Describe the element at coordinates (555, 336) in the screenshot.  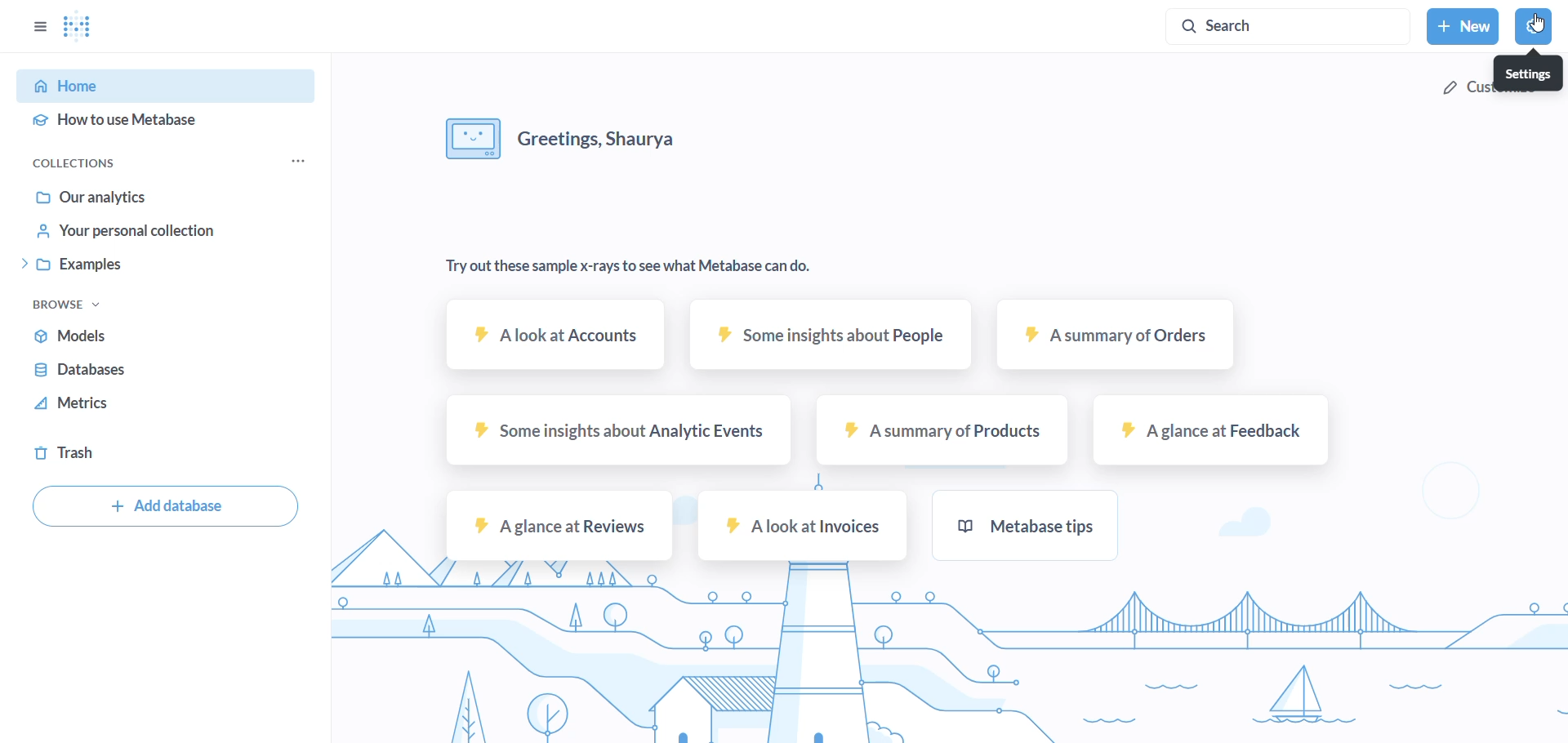
I see `A look at Accounts sample` at that location.